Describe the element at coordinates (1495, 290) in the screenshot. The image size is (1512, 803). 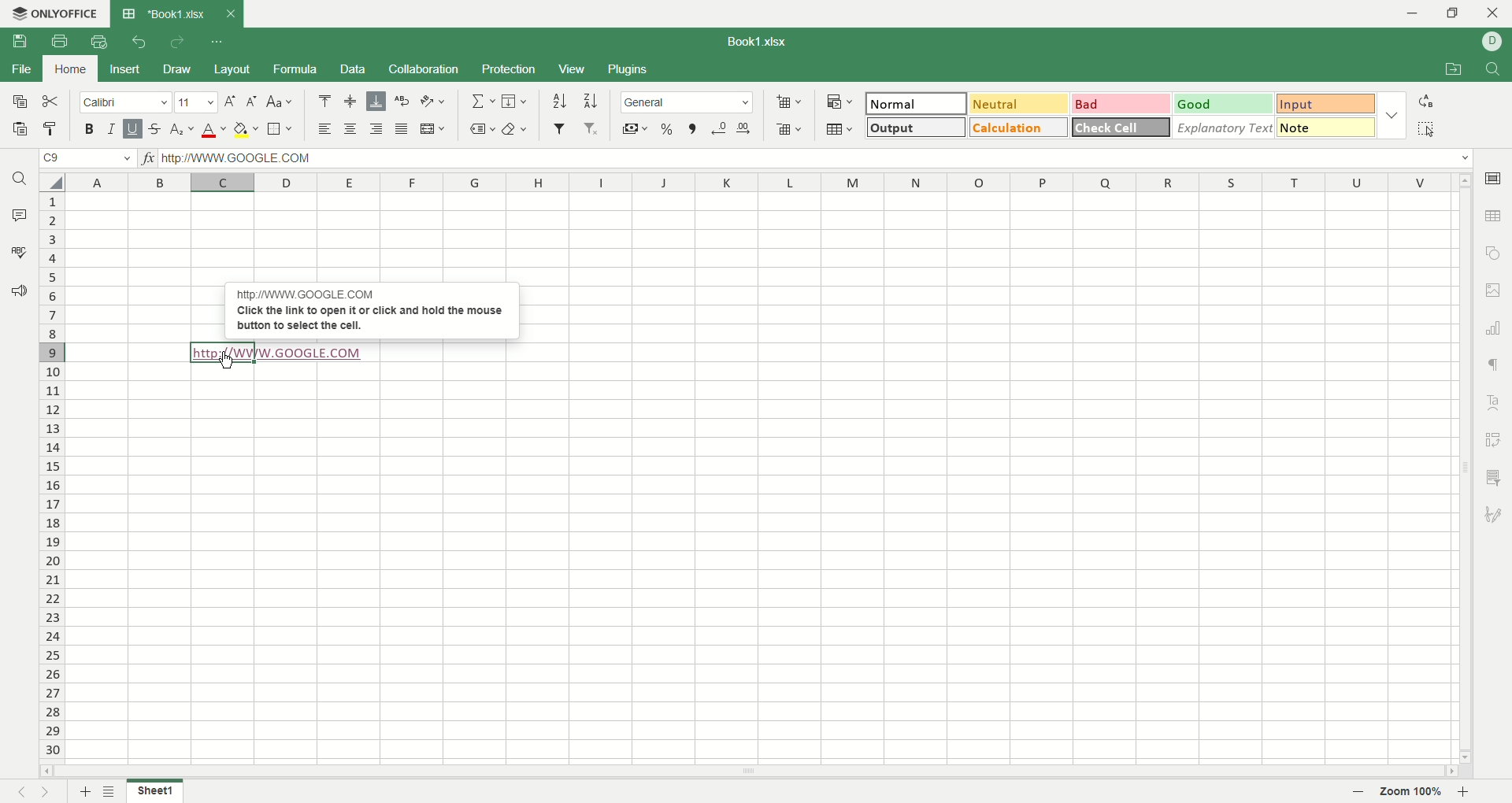
I see `image settings` at that location.